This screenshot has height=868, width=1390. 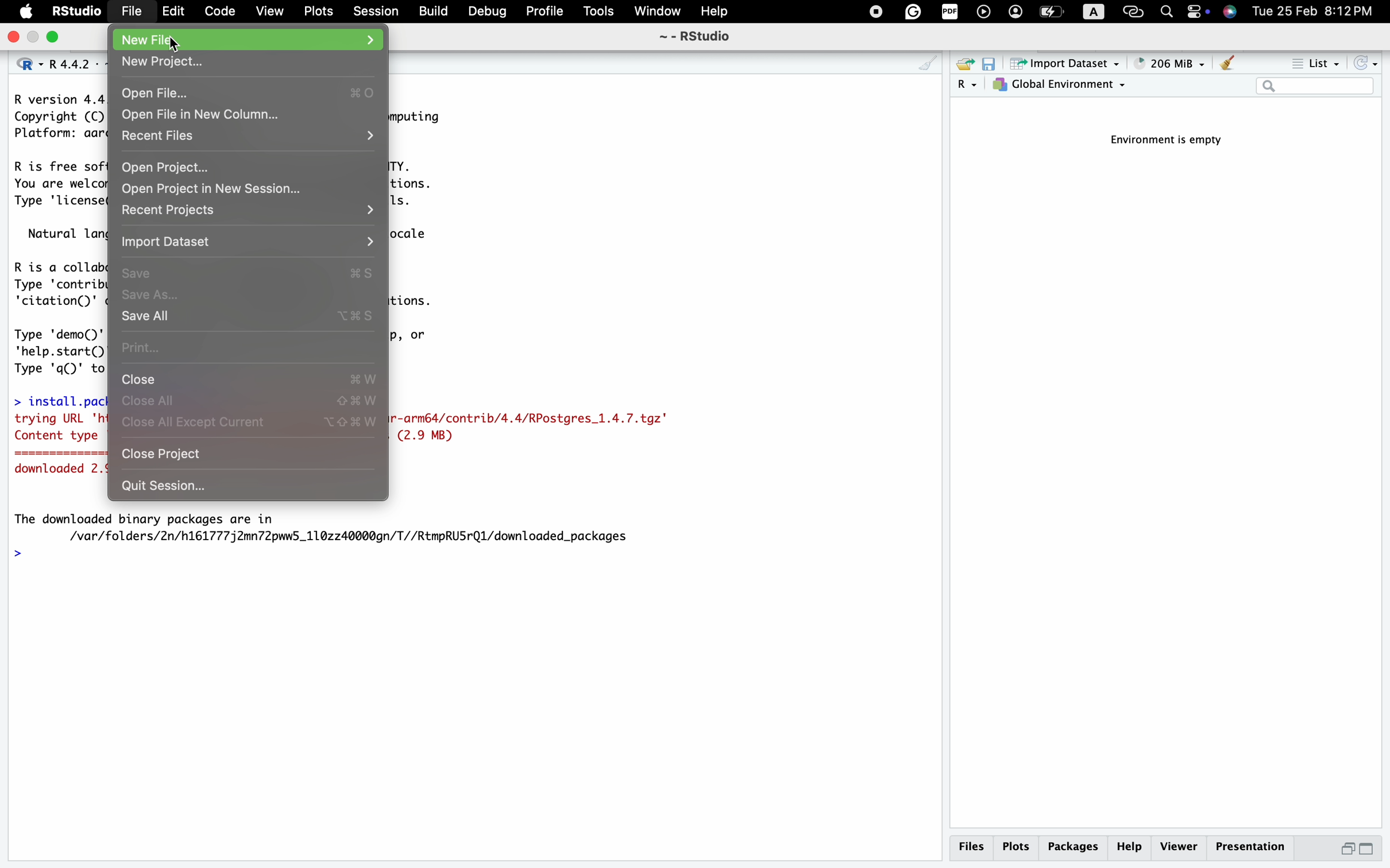 What do you see at coordinates (983, 13) in the screenshot?
I see `play` at bounding box center [983, 13].